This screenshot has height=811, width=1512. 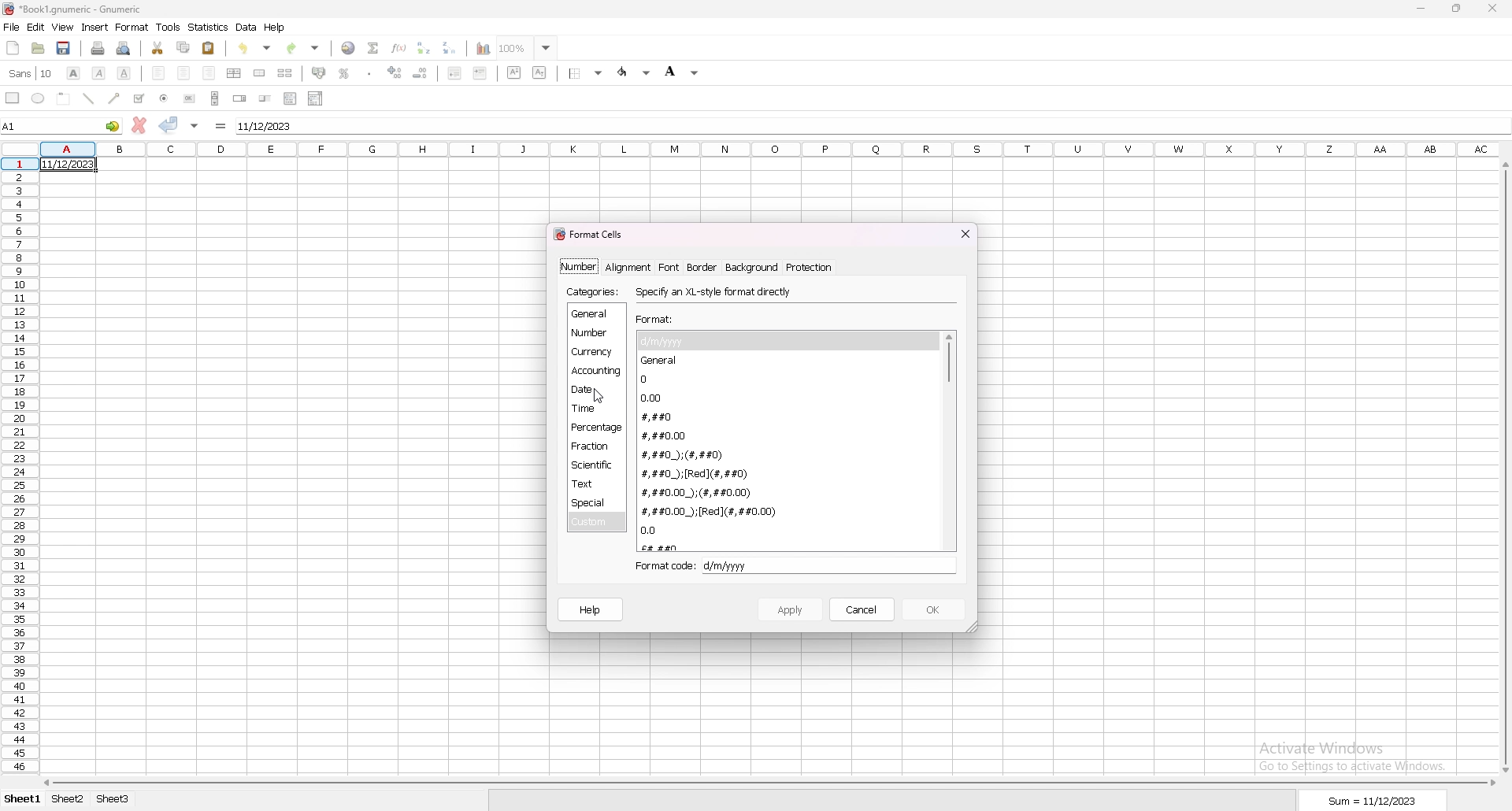 What do you see at coordinates (12, 98) in the screenshot?
I see `rectangle` at bounding box center [12, 98].